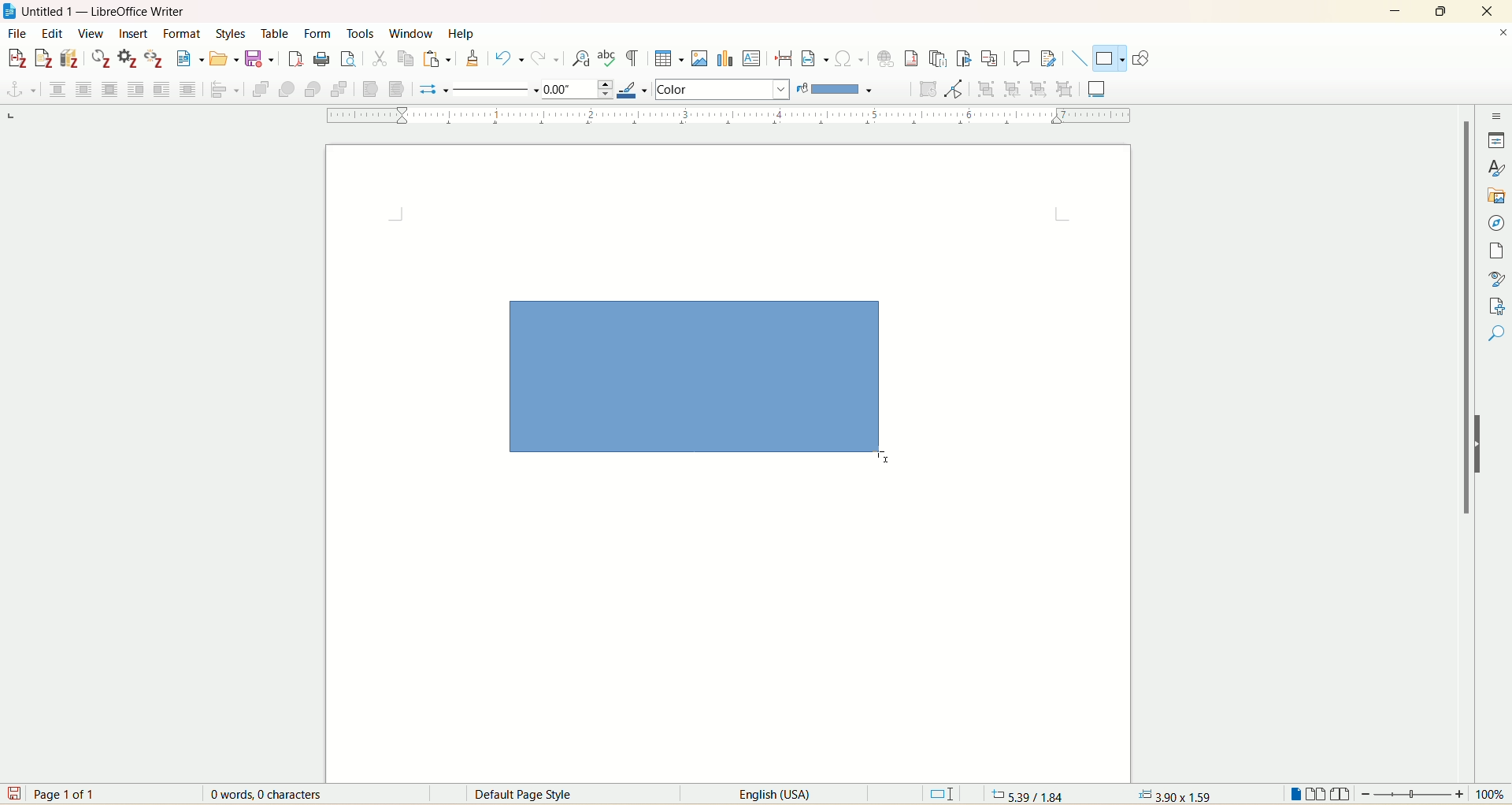  Describe the element at coordinates (1498, 167) in the screenshot. I see `styles` at that location.